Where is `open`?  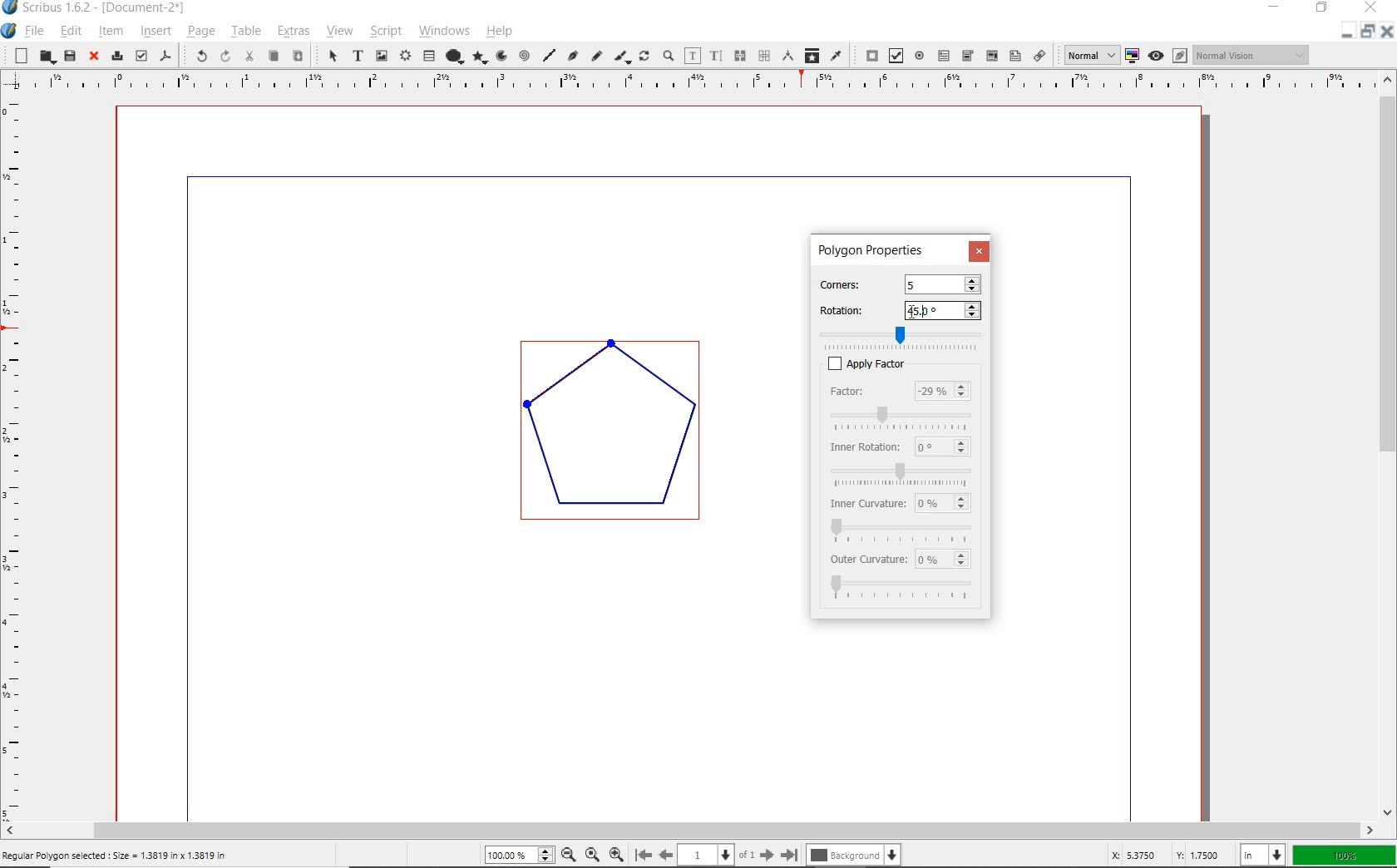
open is located at coordinates (44, 57).